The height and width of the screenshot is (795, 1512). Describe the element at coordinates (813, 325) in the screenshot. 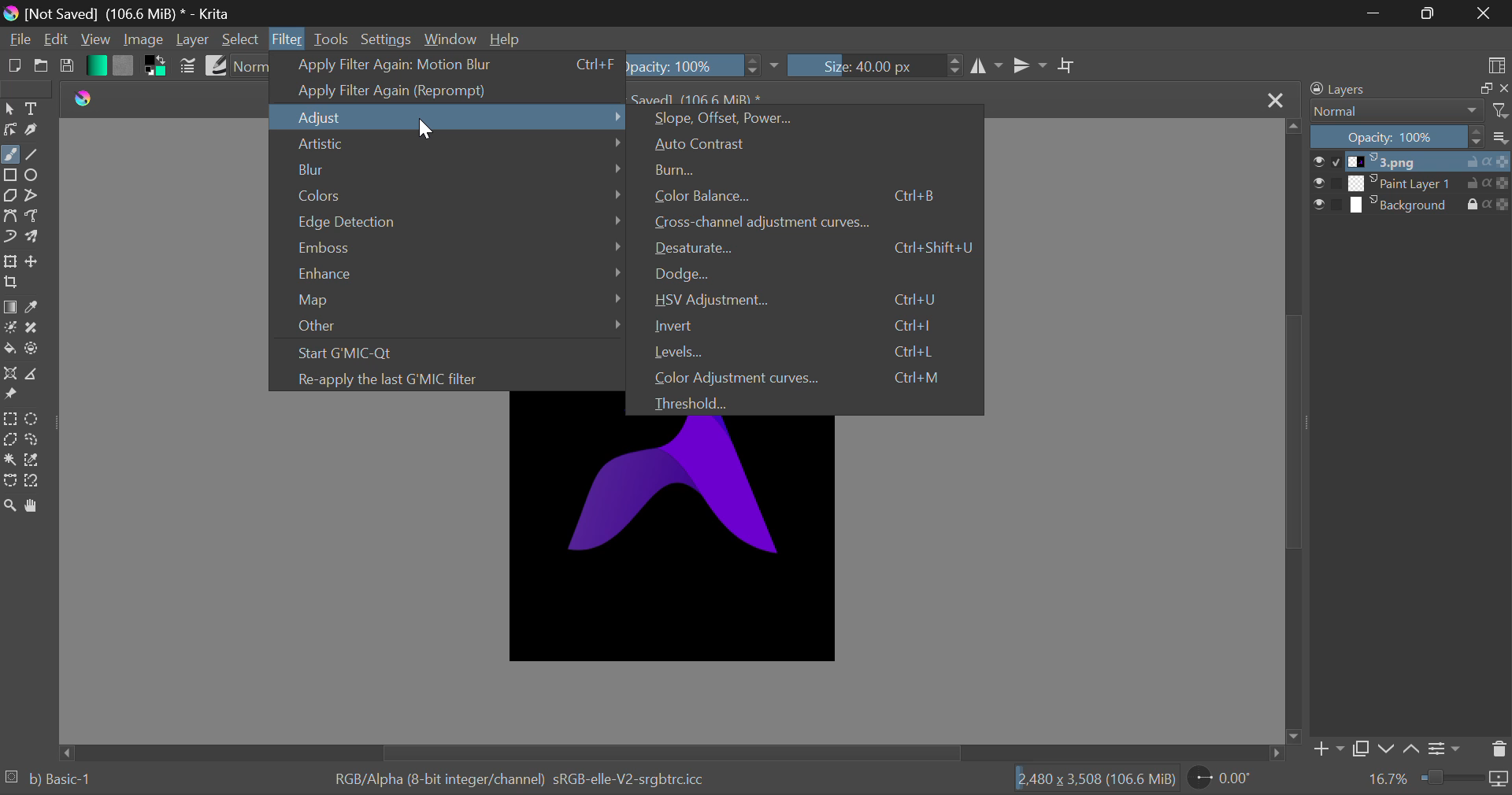

I see `Invert` at that location.